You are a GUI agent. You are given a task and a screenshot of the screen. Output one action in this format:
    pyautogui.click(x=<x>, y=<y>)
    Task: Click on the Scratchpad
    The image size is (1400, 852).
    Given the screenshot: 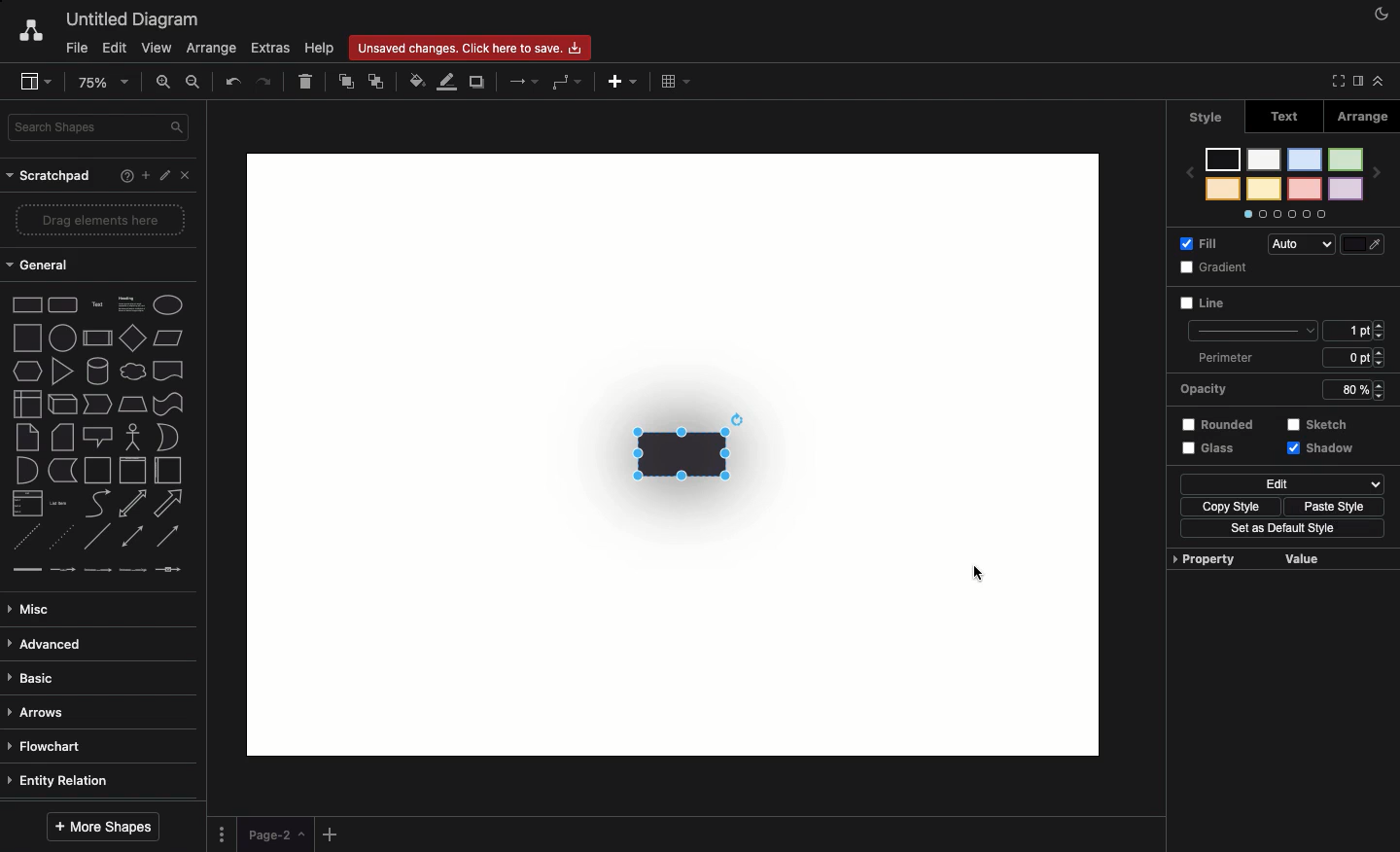 What is the action you would take?
    pyautogui.click(x=48, y=179)
    